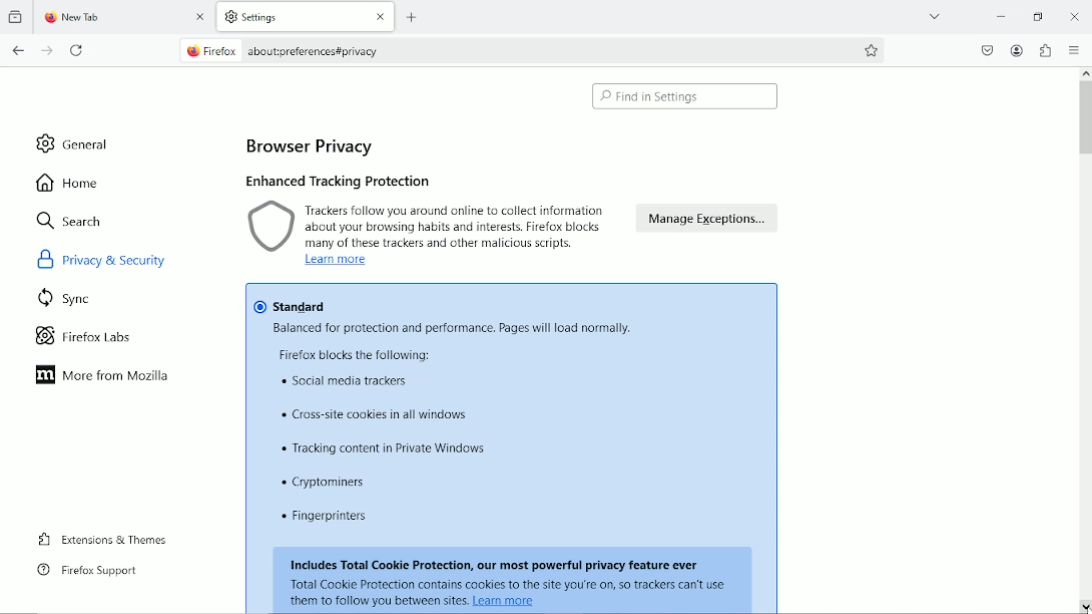 Image resolution: width=1092 pixels, height=614 pixels. I want to click on vertical scroll bar, so click(1085, 117).